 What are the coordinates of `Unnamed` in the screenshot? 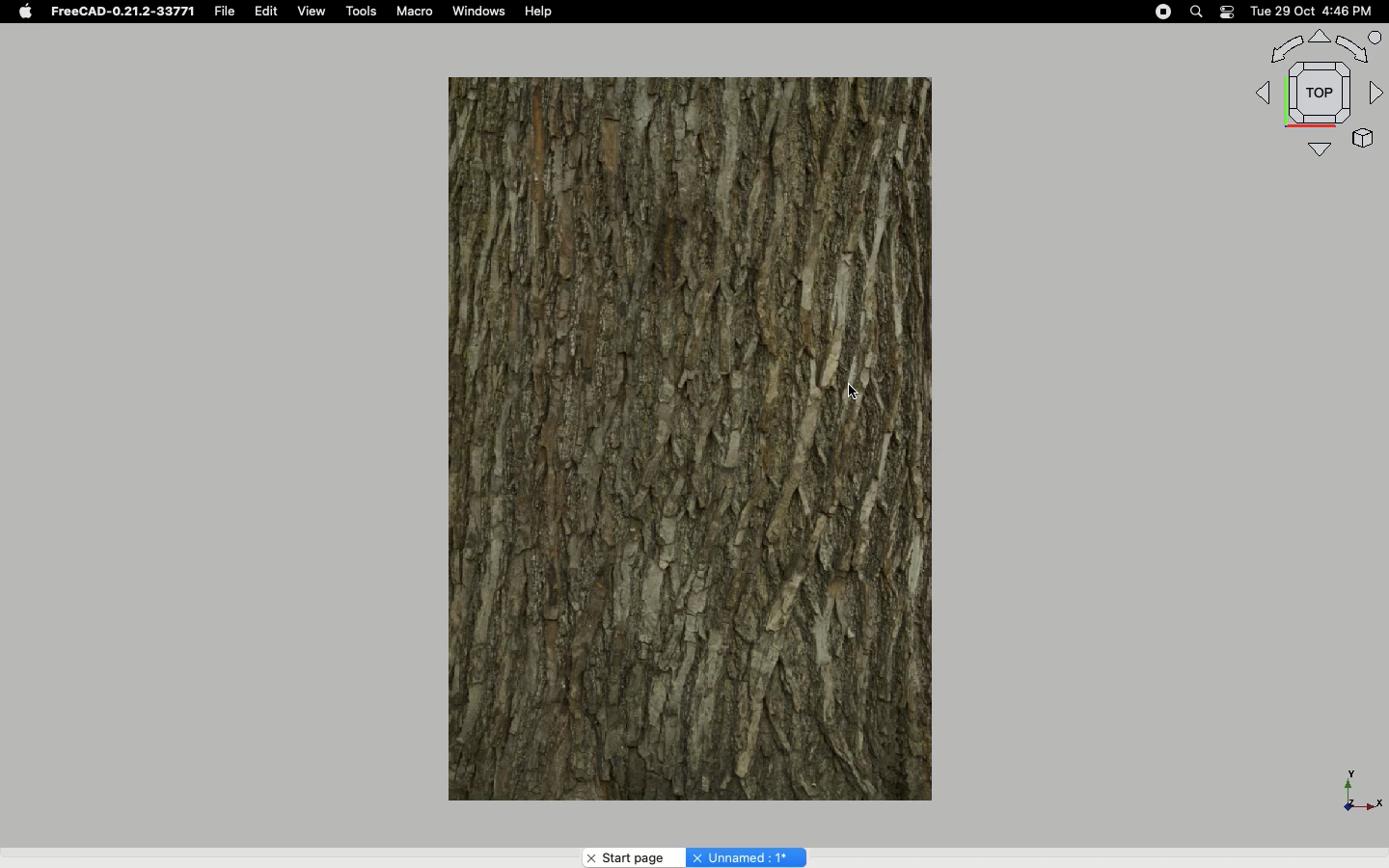 It's located at (746, 856).